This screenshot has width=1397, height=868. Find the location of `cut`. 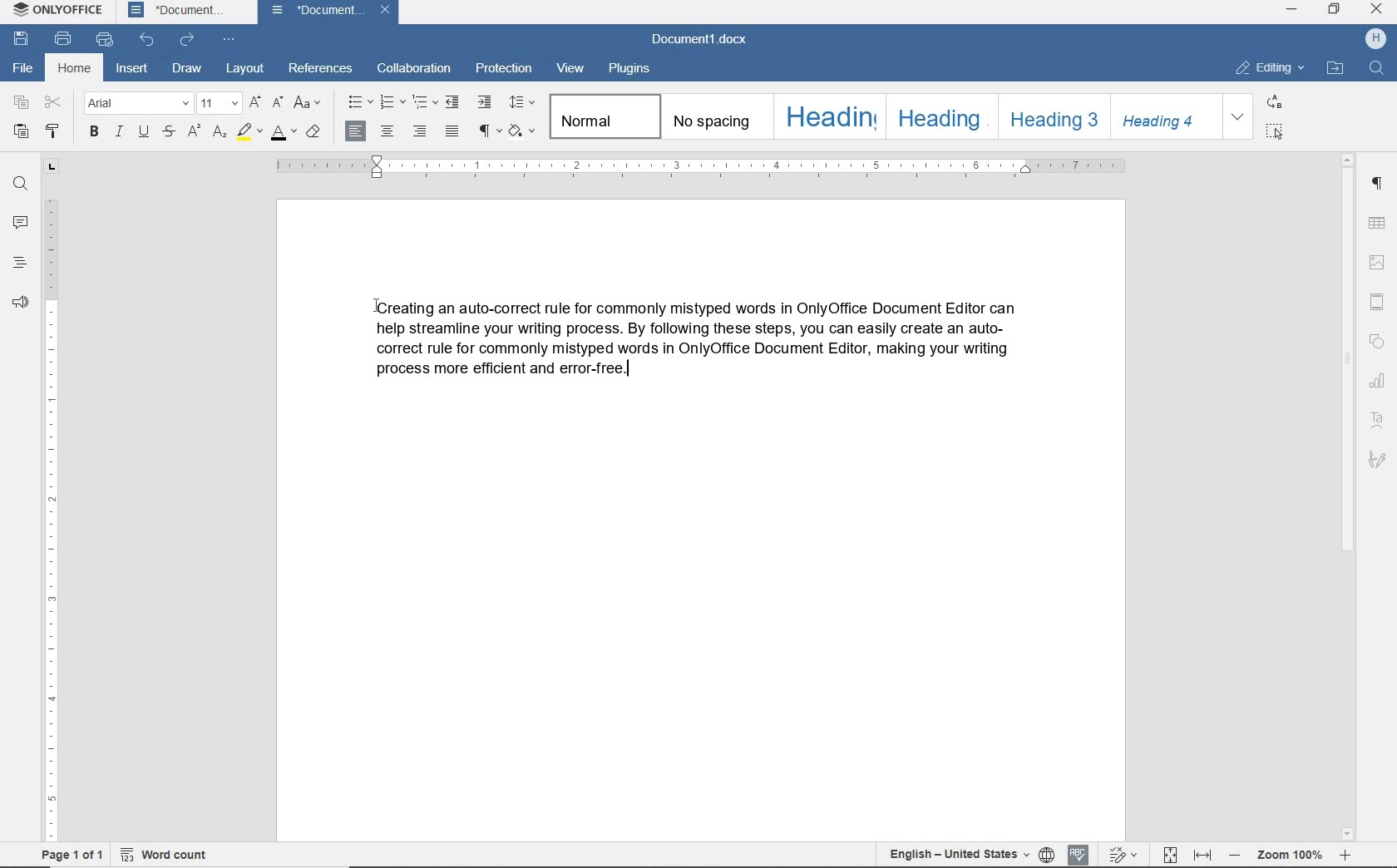

cut is located at coordinates (51, 104).